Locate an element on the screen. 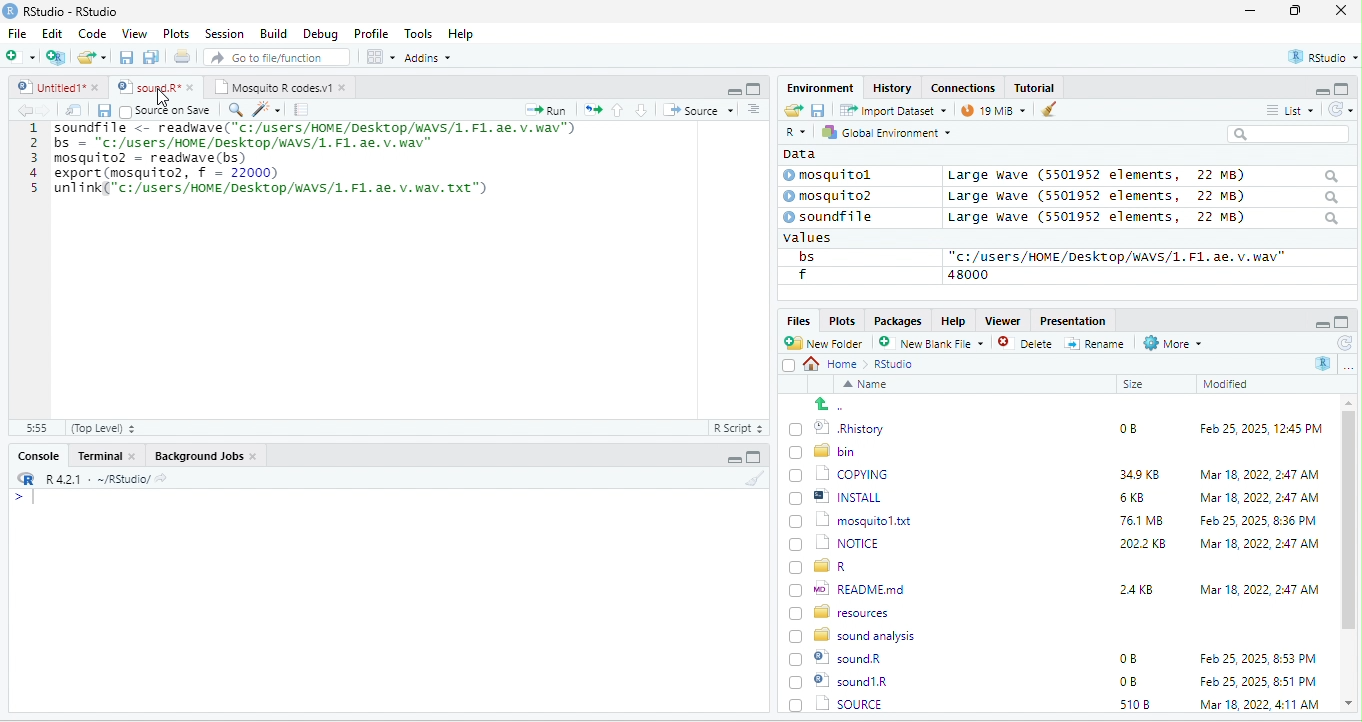 This screenshot has width=1362, height=722. rstudio is located at coordinates (1319, 58).